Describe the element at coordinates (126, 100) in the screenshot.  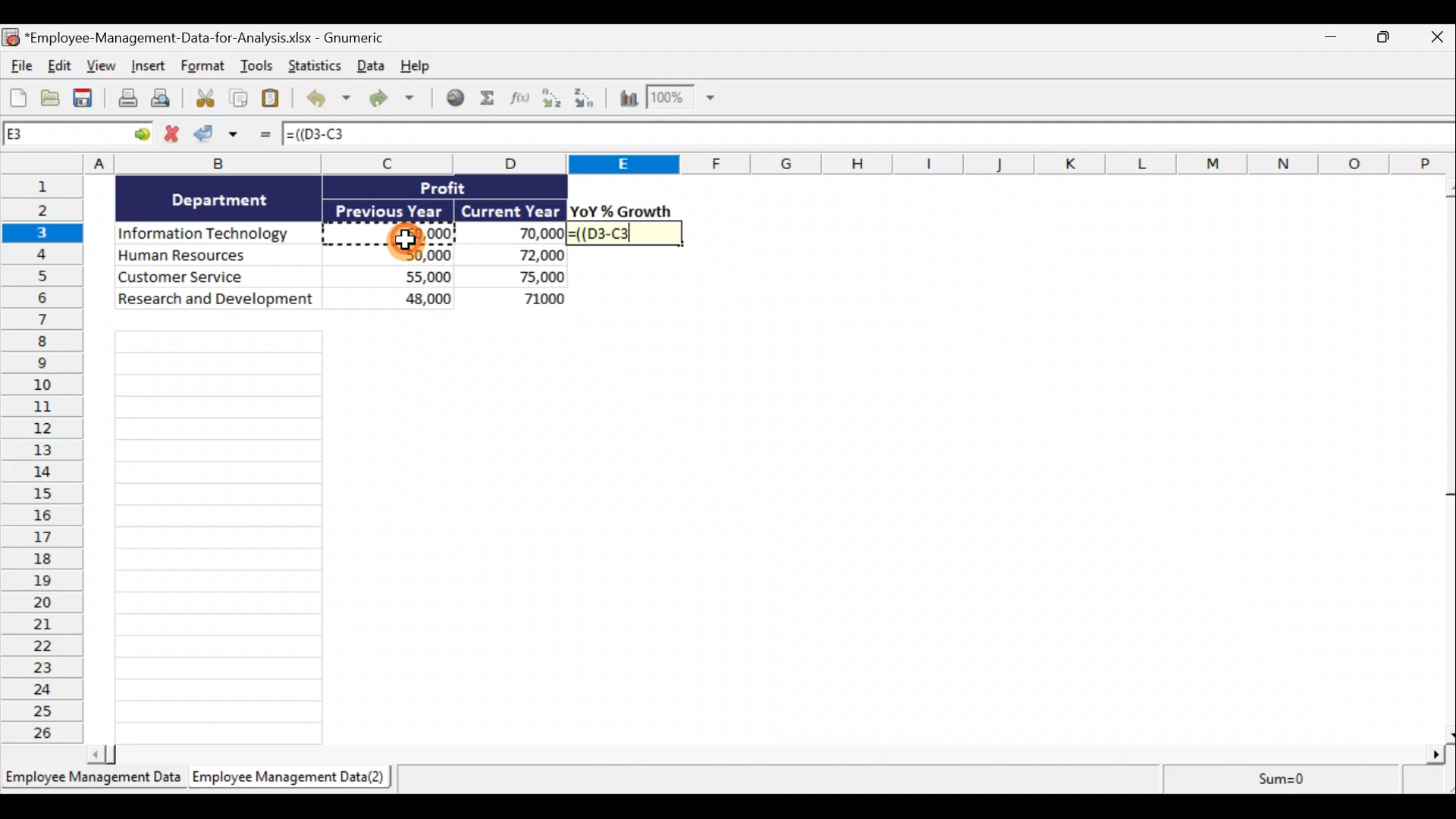
I see `Print the current file` at that location.